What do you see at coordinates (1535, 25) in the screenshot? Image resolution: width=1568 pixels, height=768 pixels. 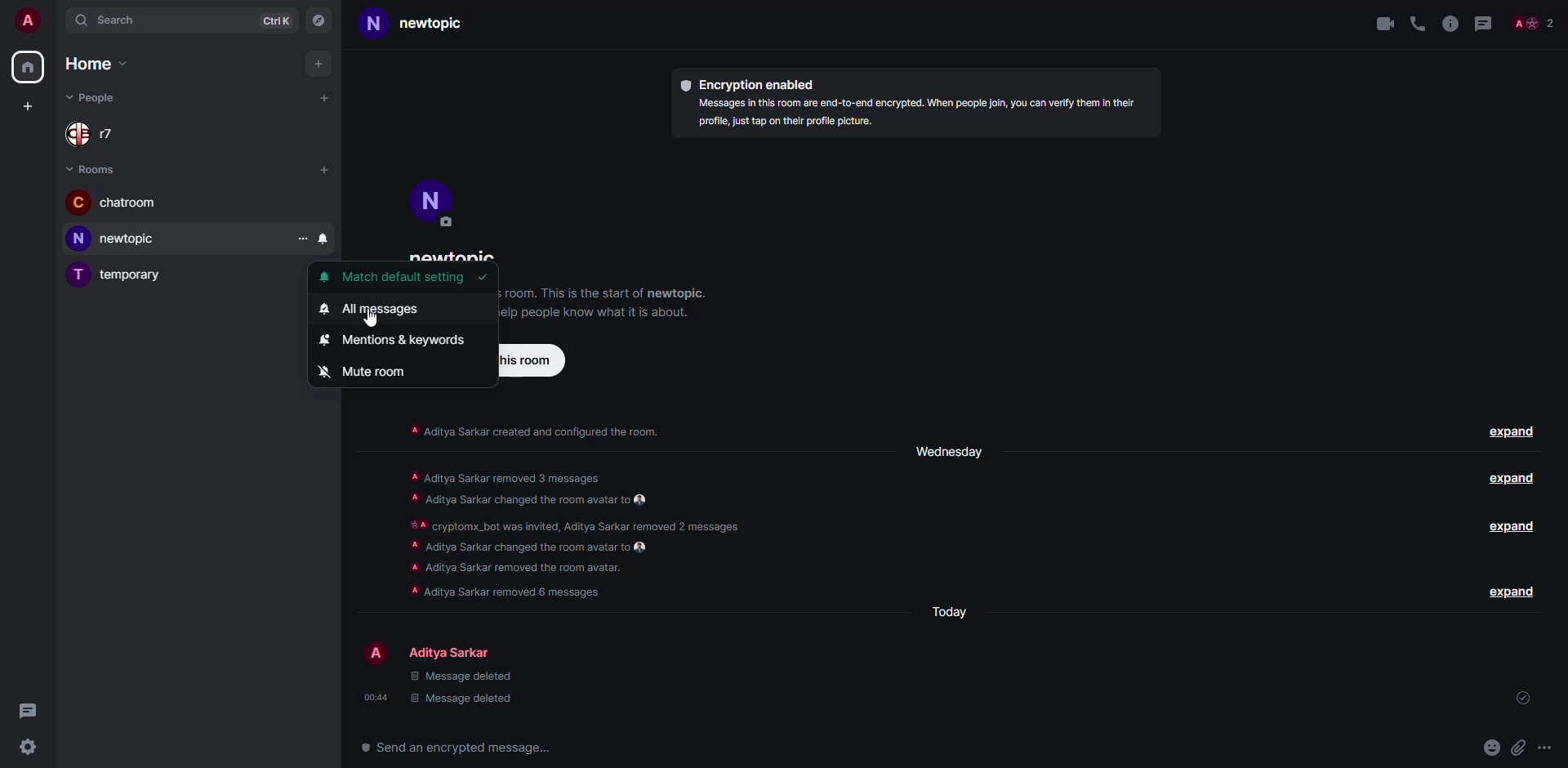 I see `people` at bounding box center [1535, 25].